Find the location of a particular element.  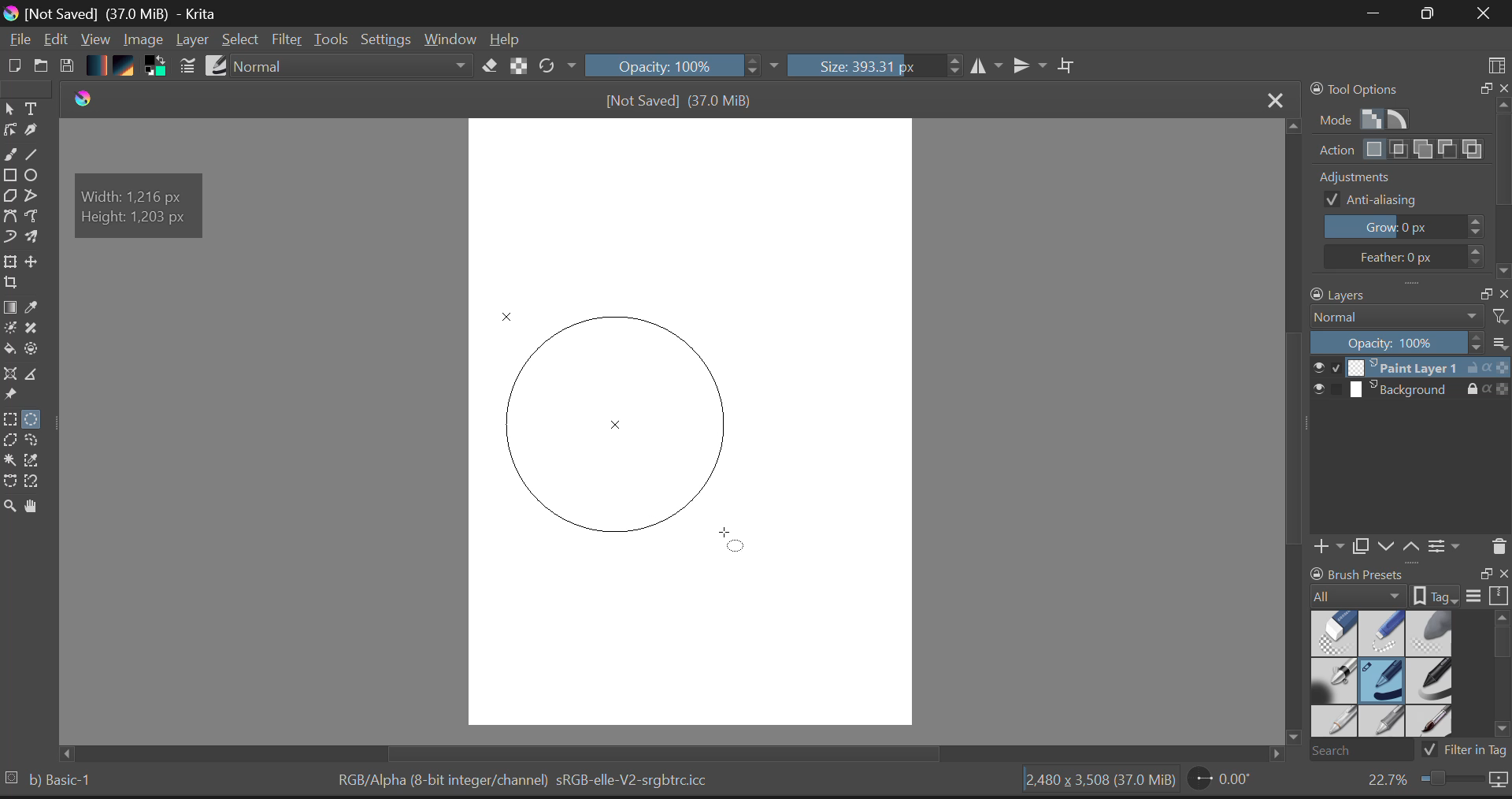

Dynamic Brush Tool is located at coordinates (9, 237).